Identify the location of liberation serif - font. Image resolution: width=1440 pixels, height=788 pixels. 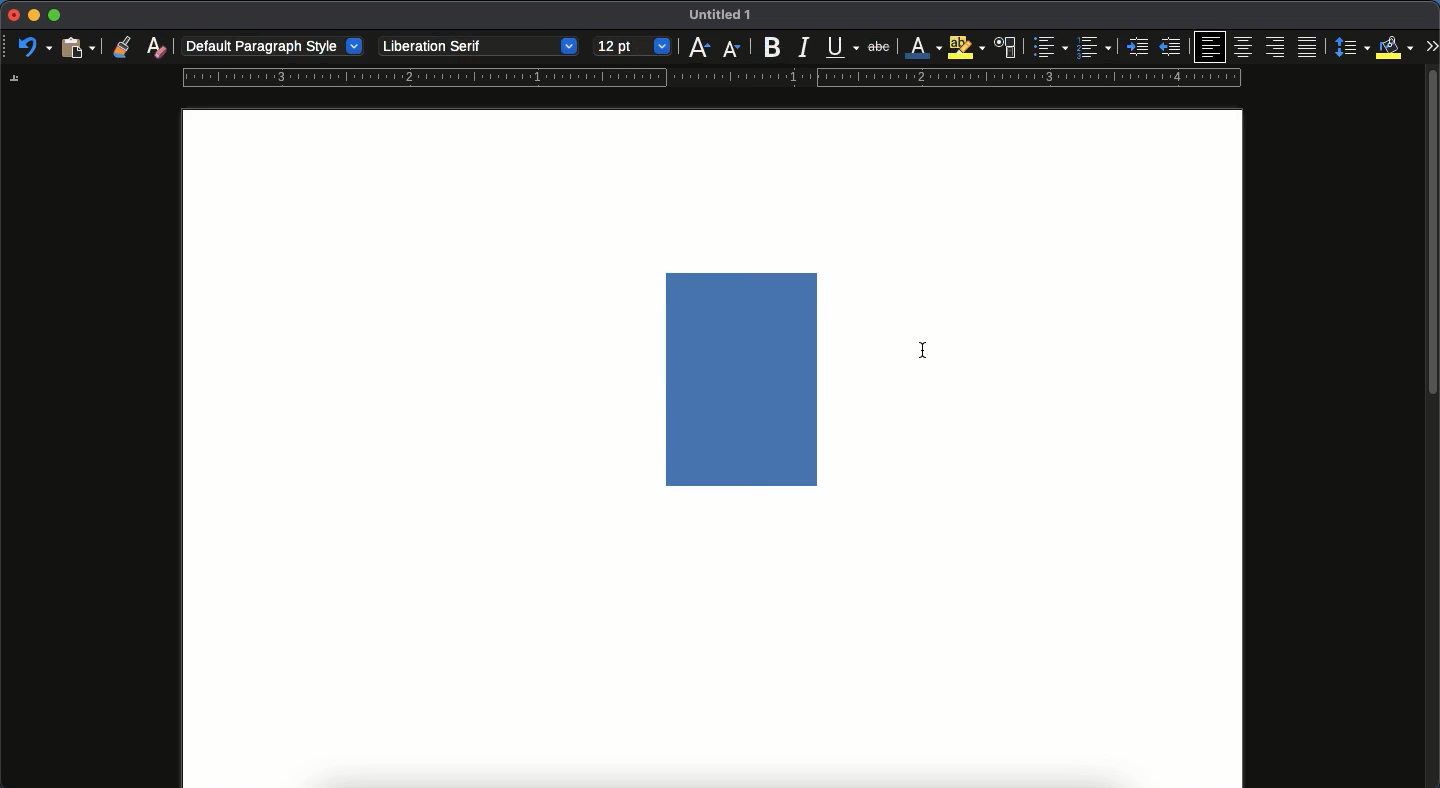
(477, 44).